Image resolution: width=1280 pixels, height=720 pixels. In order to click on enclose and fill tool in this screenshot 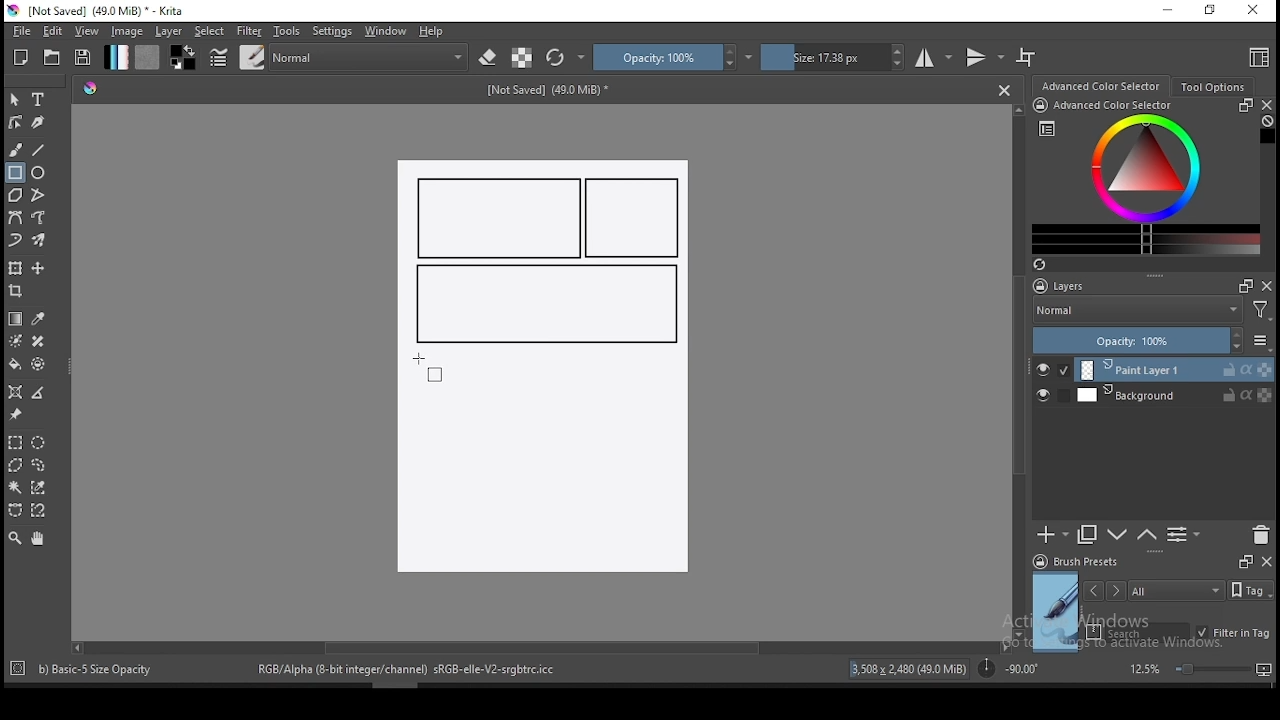, I will do `click(38, 364)`.